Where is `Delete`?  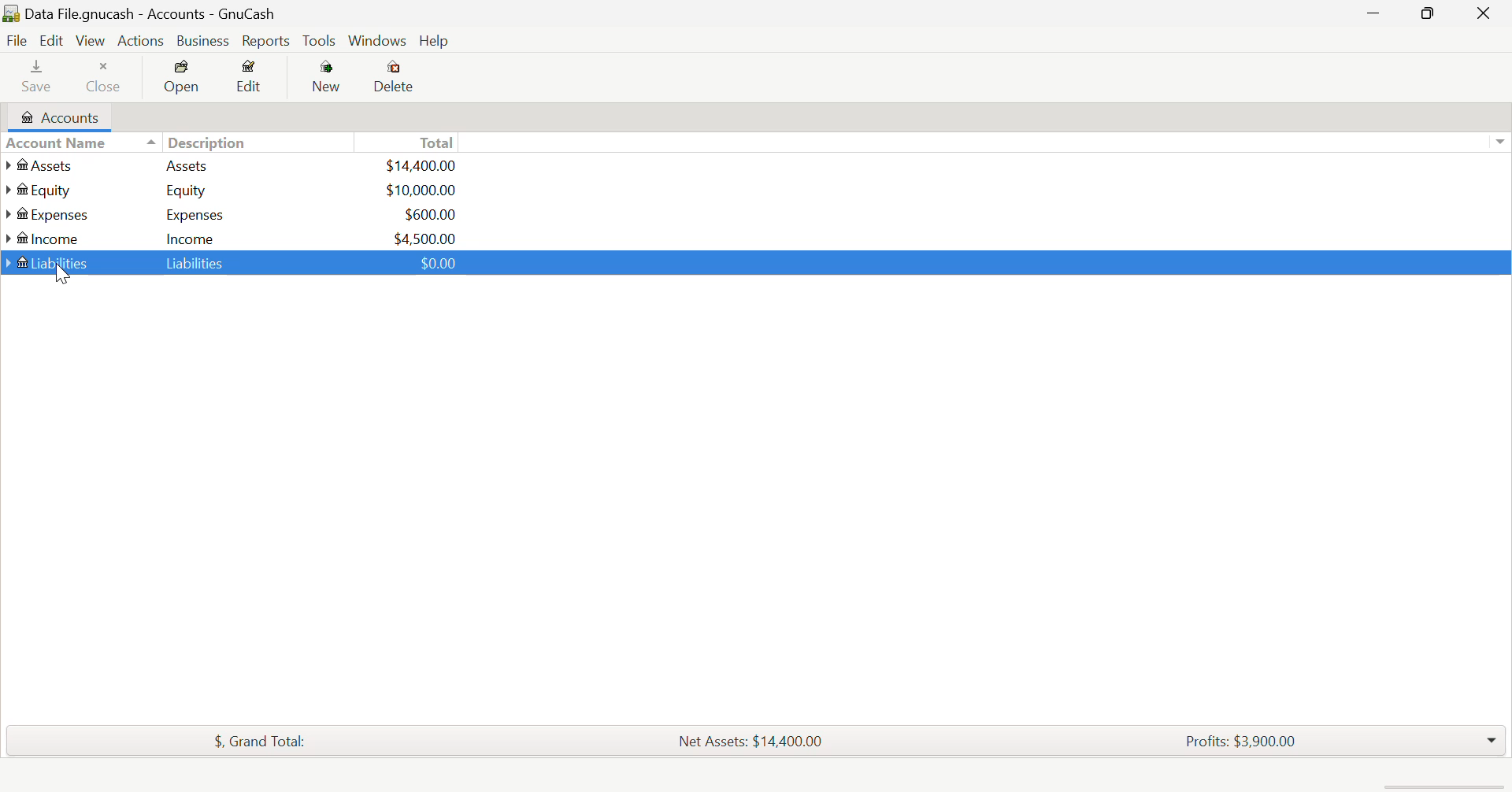 Delete is located at coordinates (394, 77).